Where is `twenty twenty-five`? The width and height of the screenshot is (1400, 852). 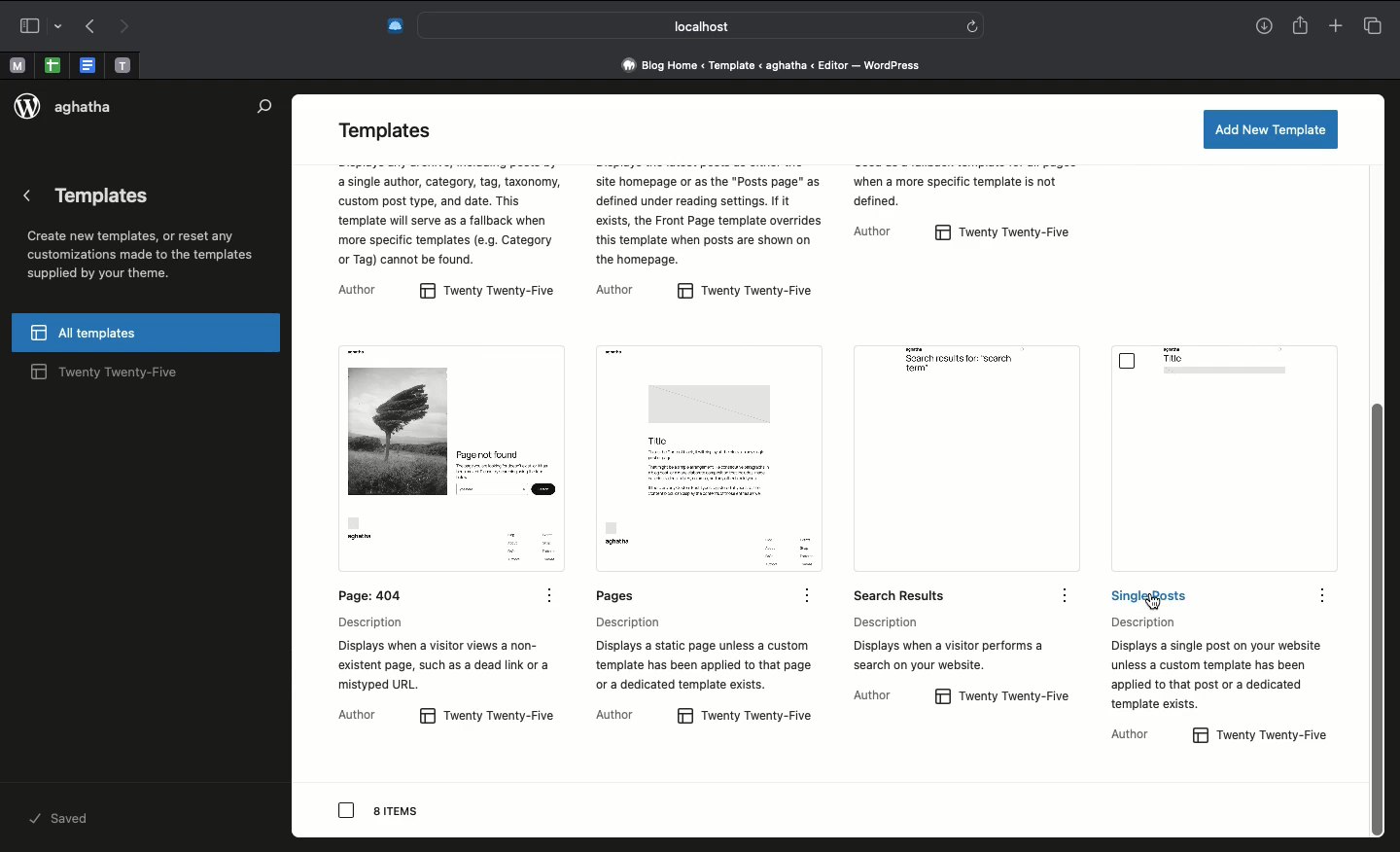 twenty twenty-five is located at coordinates (486, 293).